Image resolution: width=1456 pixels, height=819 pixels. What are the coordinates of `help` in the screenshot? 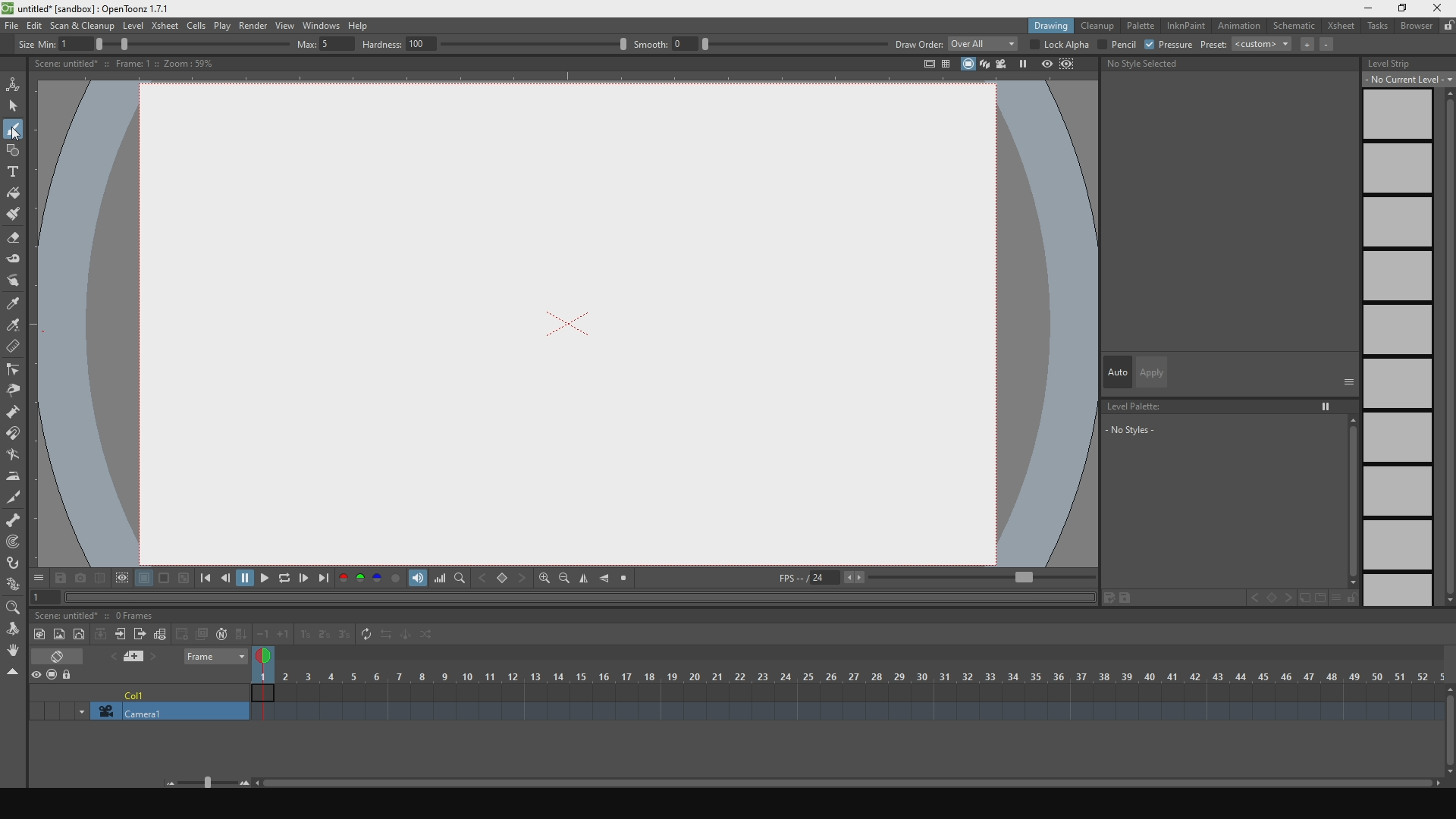 It's located at (364, 23).